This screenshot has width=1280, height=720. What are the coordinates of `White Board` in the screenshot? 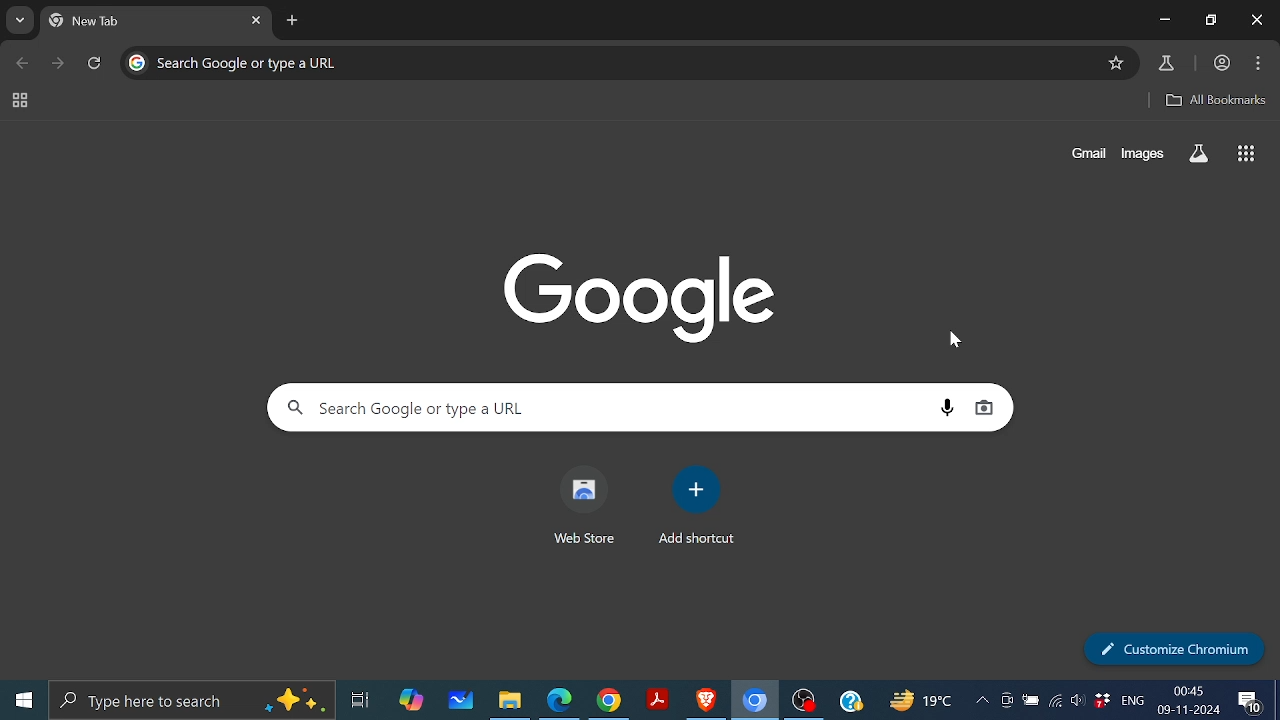 It's located at (461, 698).